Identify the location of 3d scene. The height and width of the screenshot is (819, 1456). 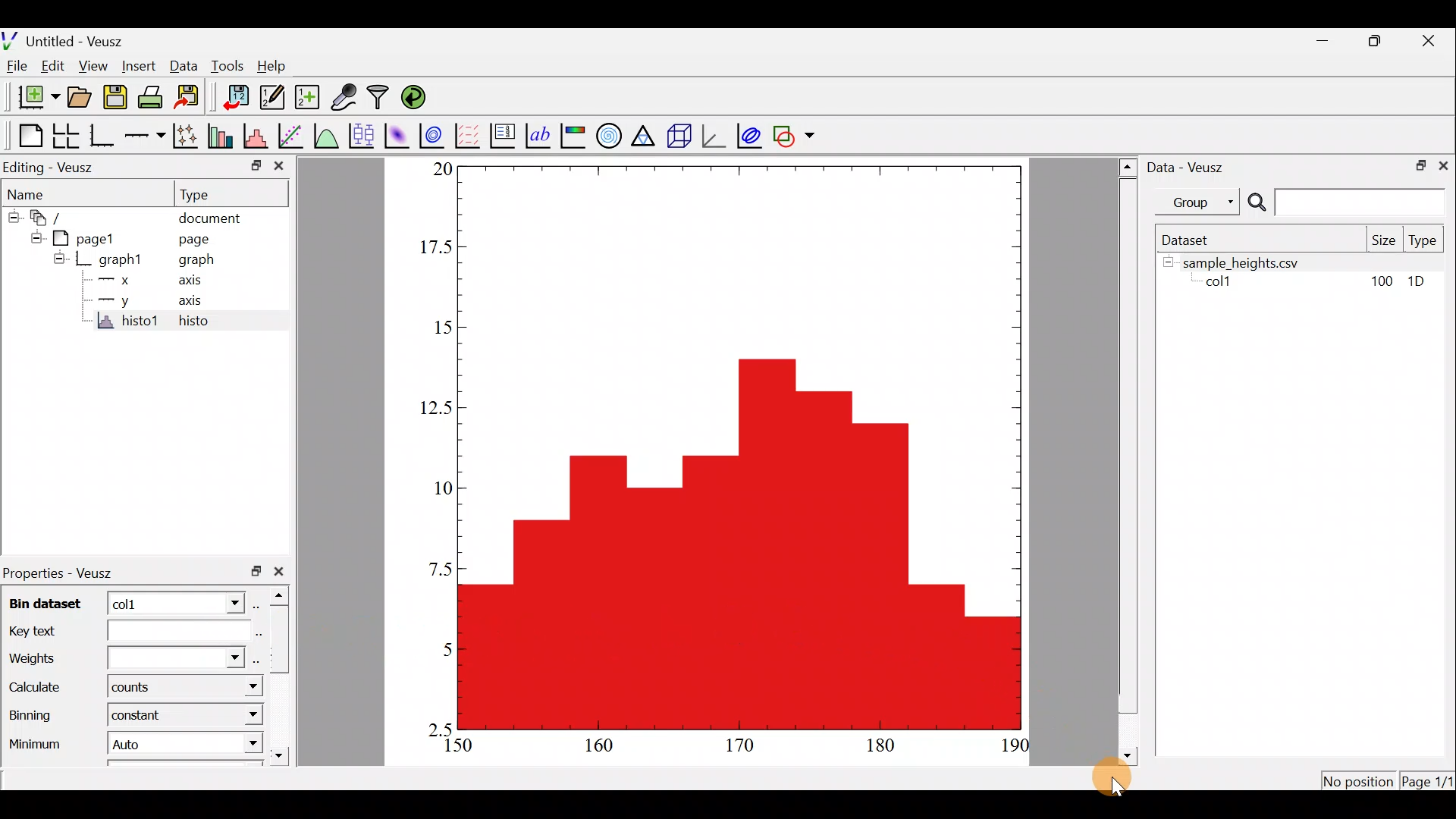
(682, 135).